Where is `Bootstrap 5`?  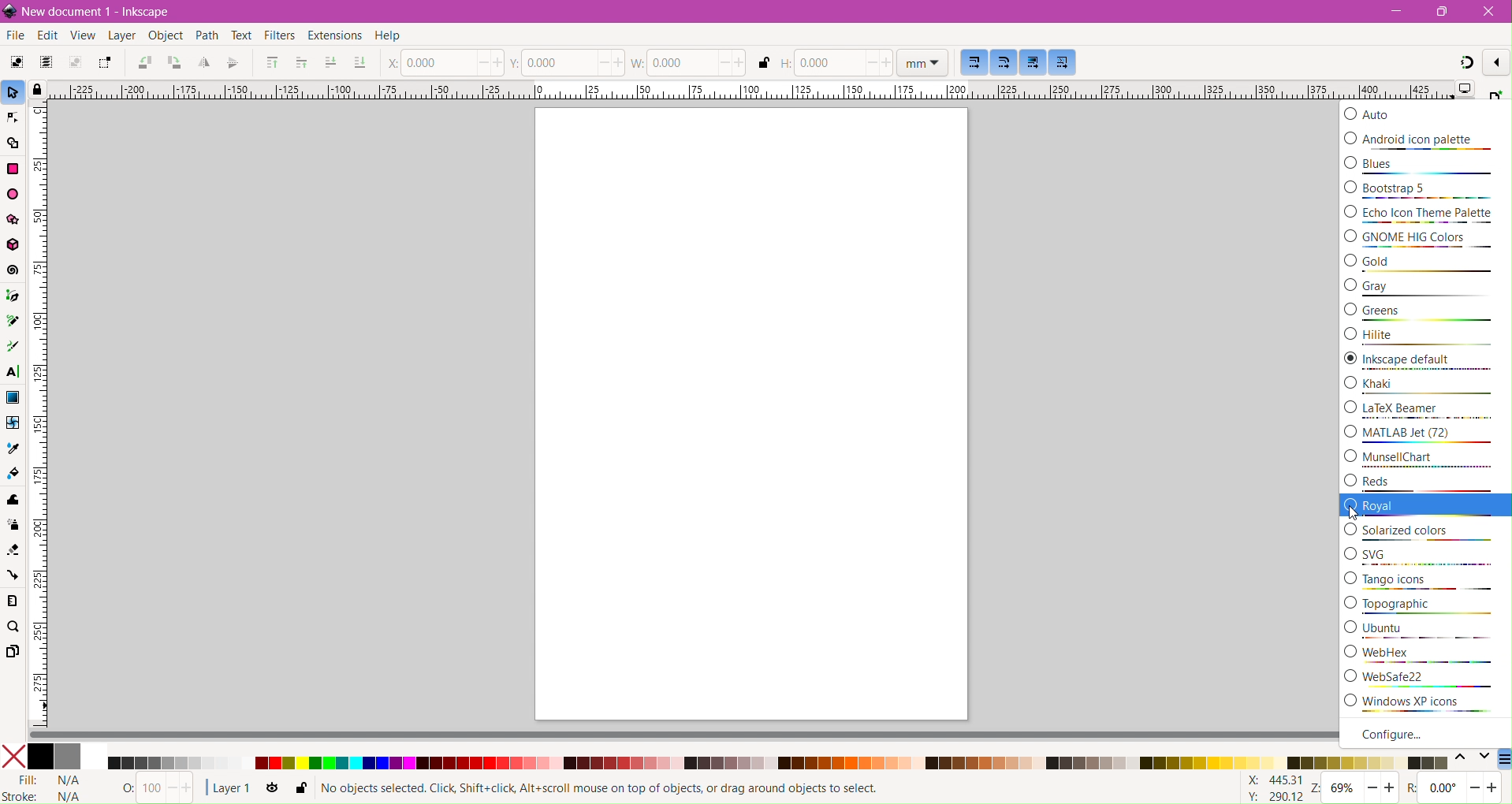
Bootstrap 5 is located at coordinates (1423, 191).